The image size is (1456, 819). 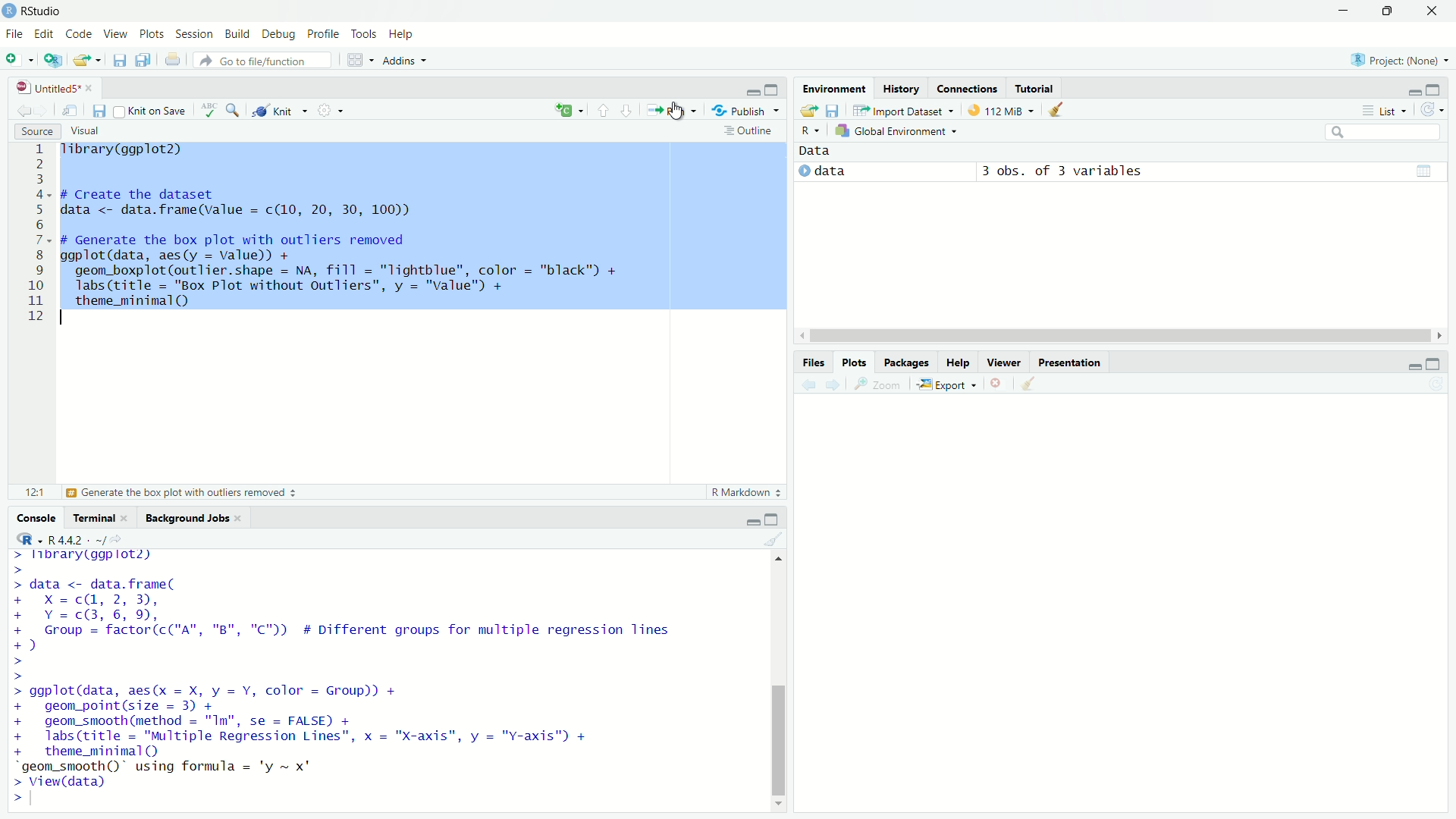 What do you see at coordinates (52, 89) in the screenshot?
I see `@ | Untitled5*` at bounding box center [52, 89].